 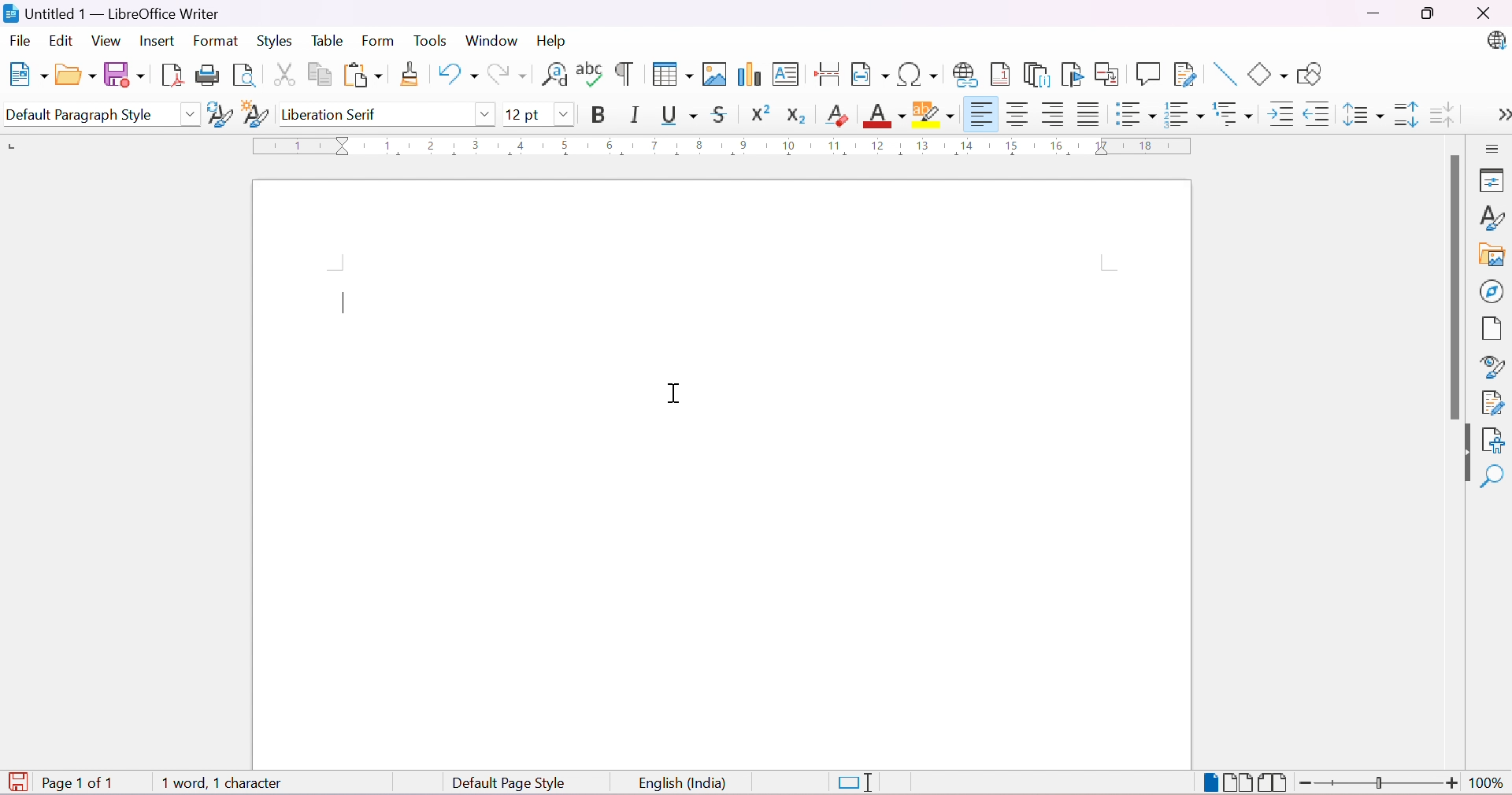 I want to click on Cursor, so click(x=677, y=397).